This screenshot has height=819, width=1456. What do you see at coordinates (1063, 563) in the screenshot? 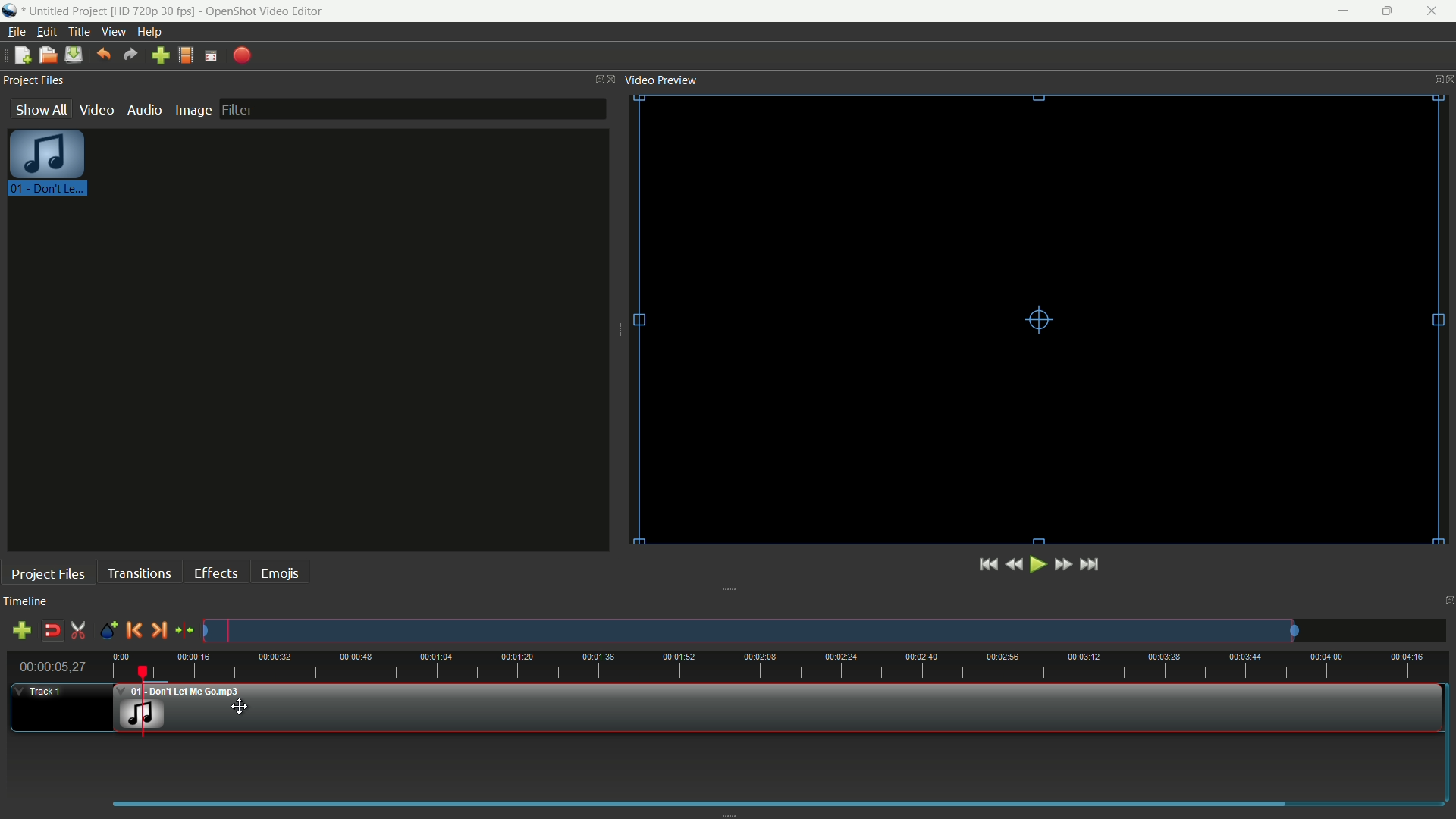
I see `quickly play forward` at bounding box center [1063, 563].